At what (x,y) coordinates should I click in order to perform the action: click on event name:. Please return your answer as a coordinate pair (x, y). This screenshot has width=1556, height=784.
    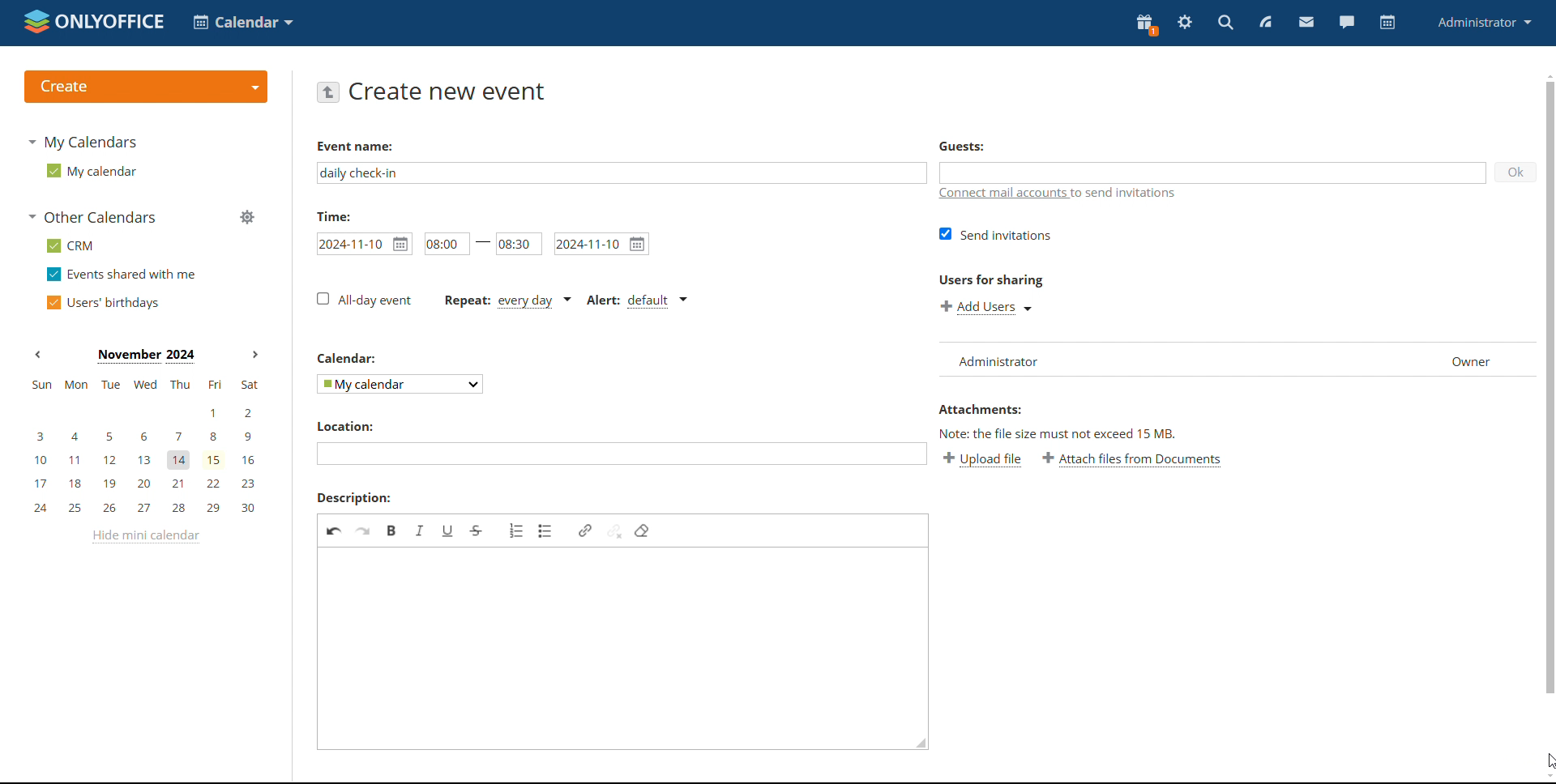
    Looking at the image, I should click on (369, 147).